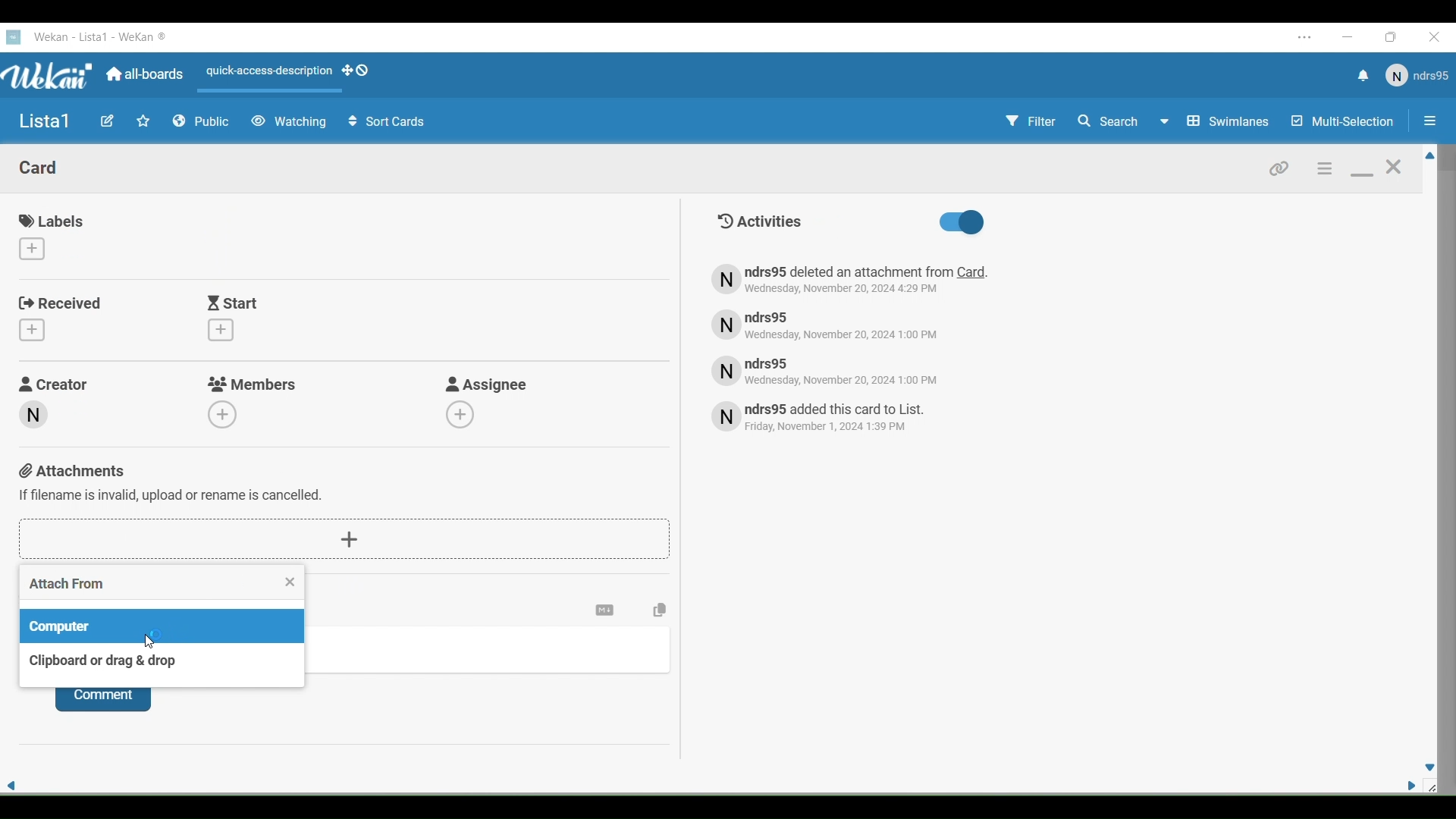 This screenshot has height=819, width=1456. Describe the element at coordinates (387, 122) in the screenshot. I see `Sort Cells` at that location.